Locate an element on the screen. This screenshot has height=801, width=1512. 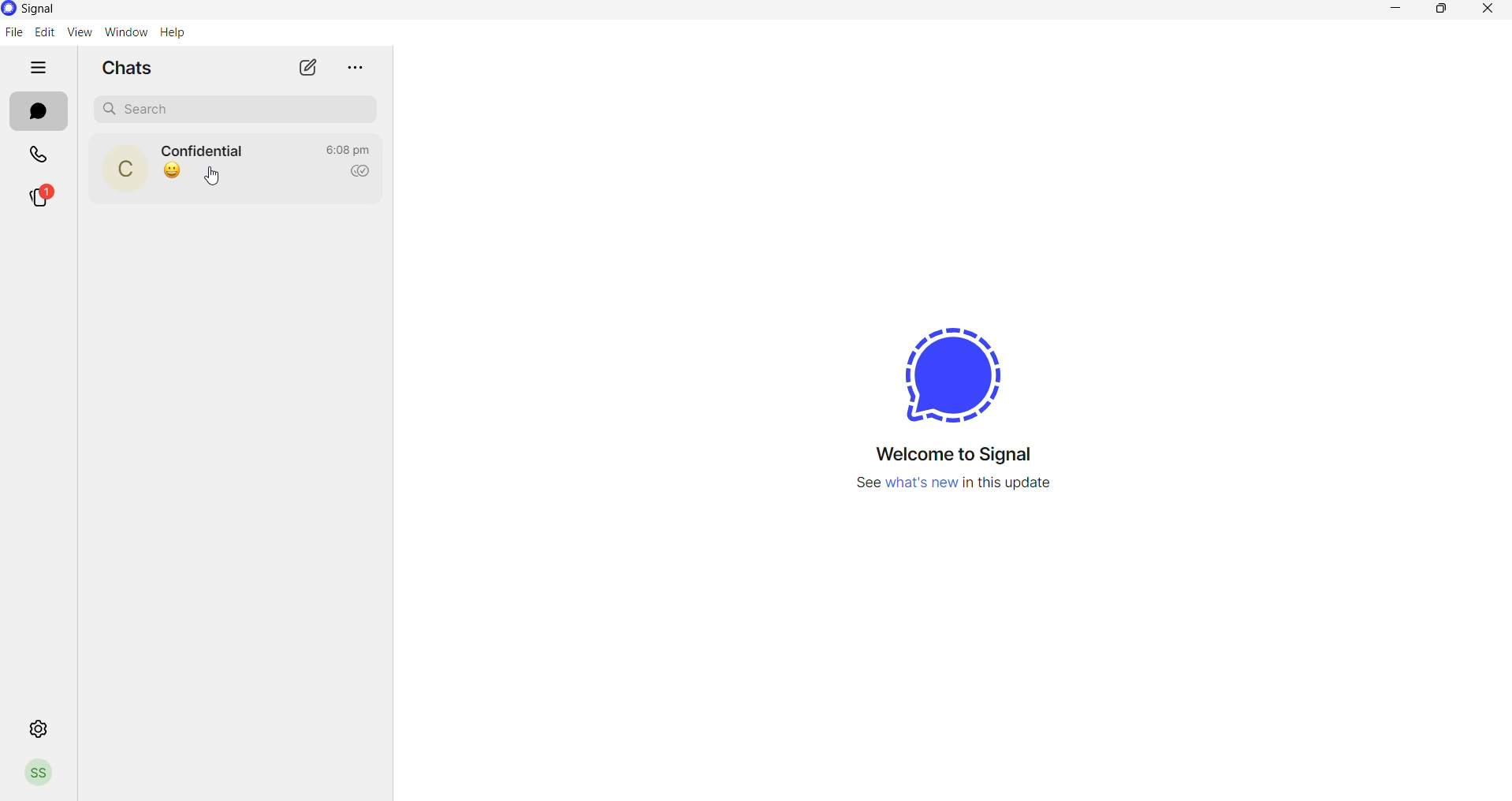
settings is located at coordinates (40, 726).